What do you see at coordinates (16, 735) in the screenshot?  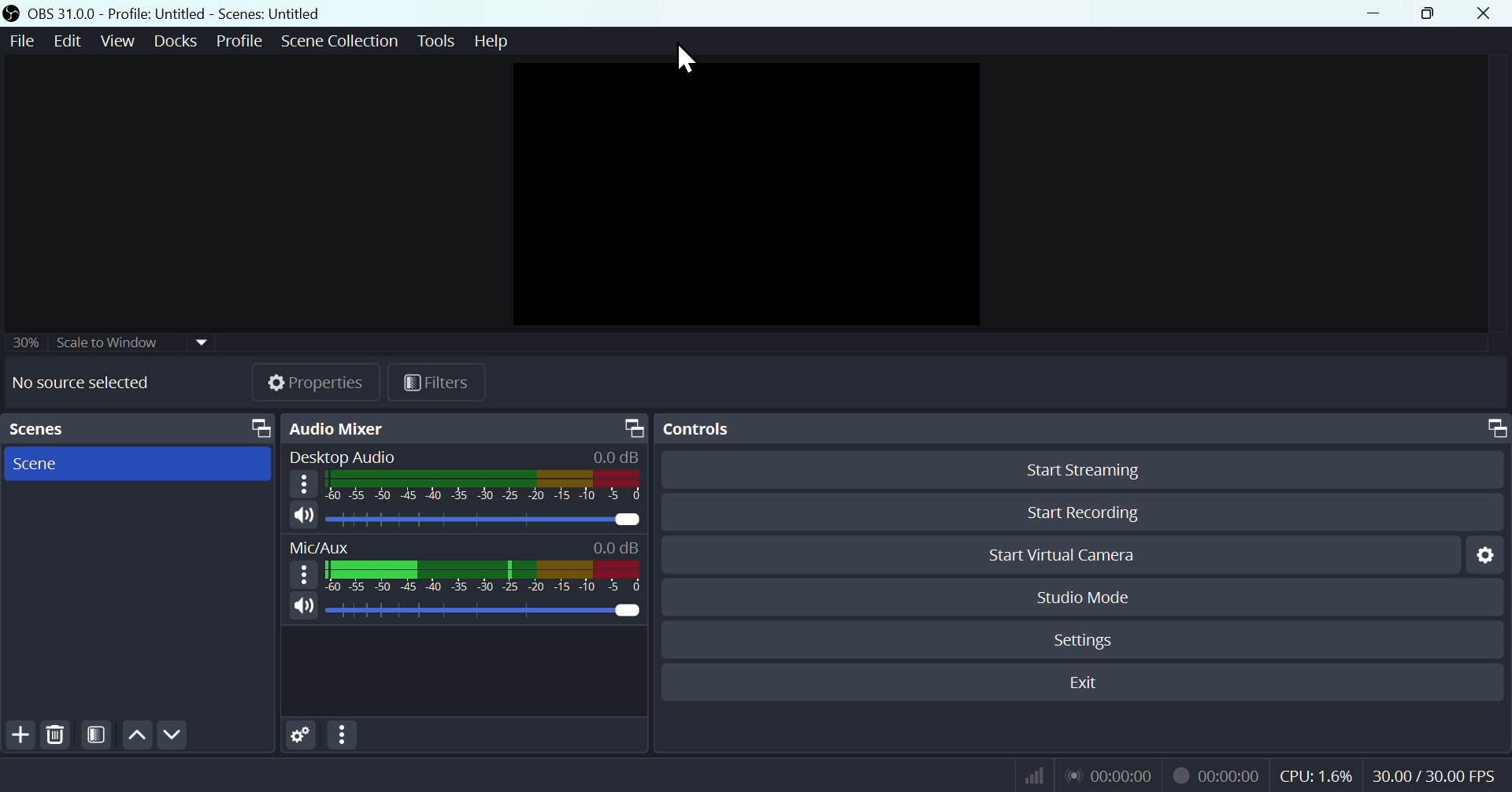 I see `Add` at bounding box center [16, 735].